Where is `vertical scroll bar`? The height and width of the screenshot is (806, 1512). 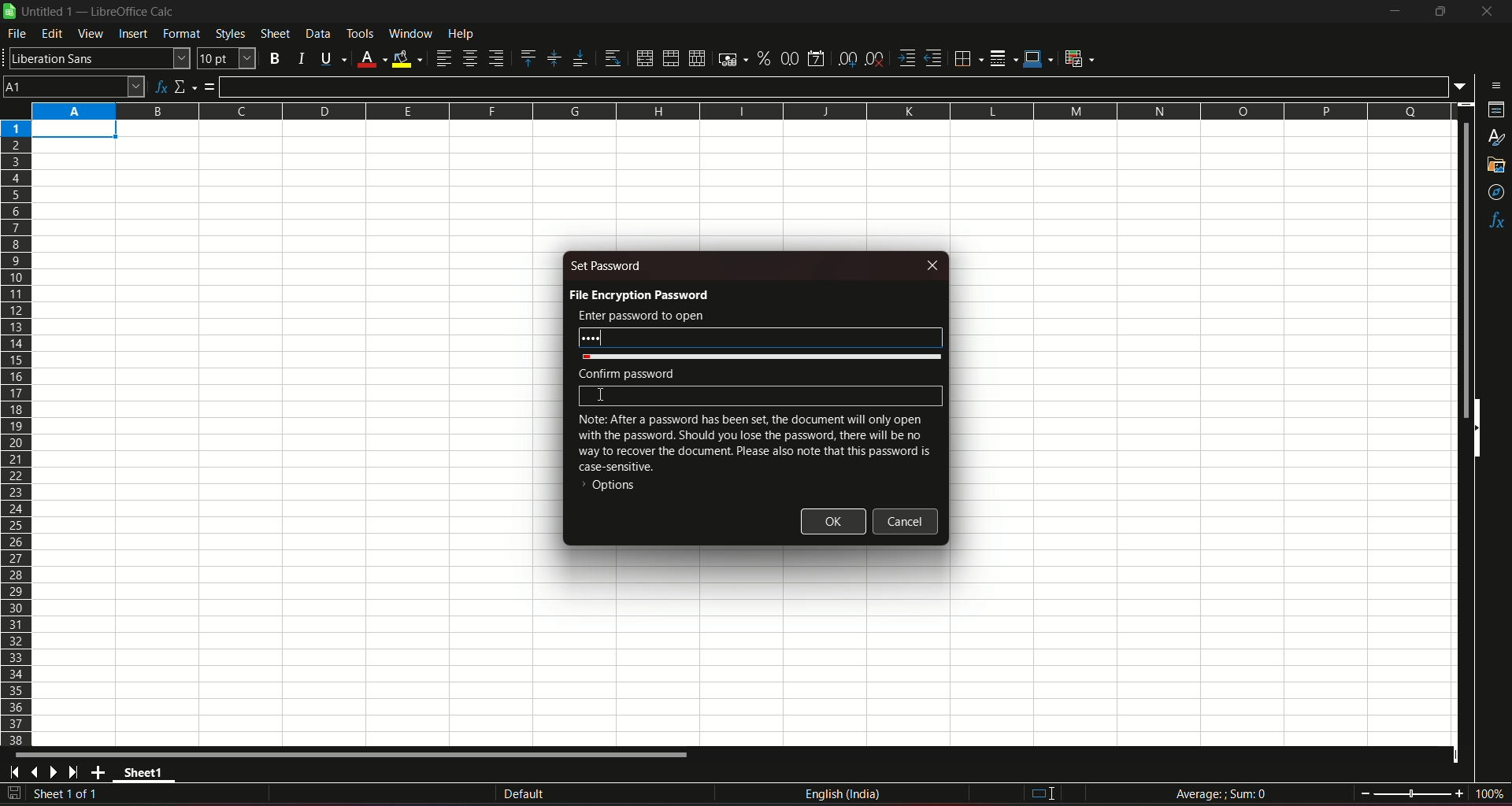
vertical scroll bar is located at coordinates (1464, 268).